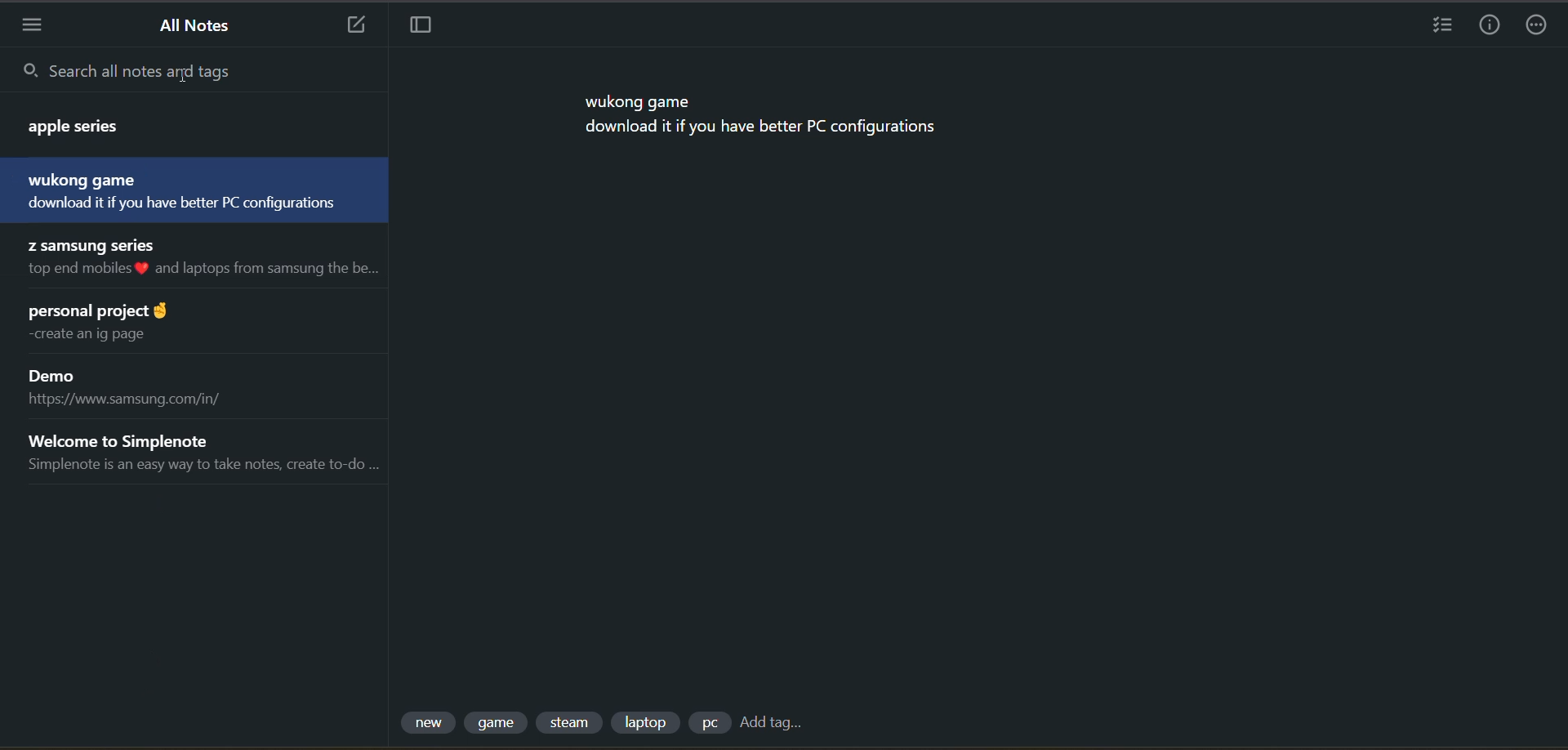  I want to click on menu, so click(28, 25).